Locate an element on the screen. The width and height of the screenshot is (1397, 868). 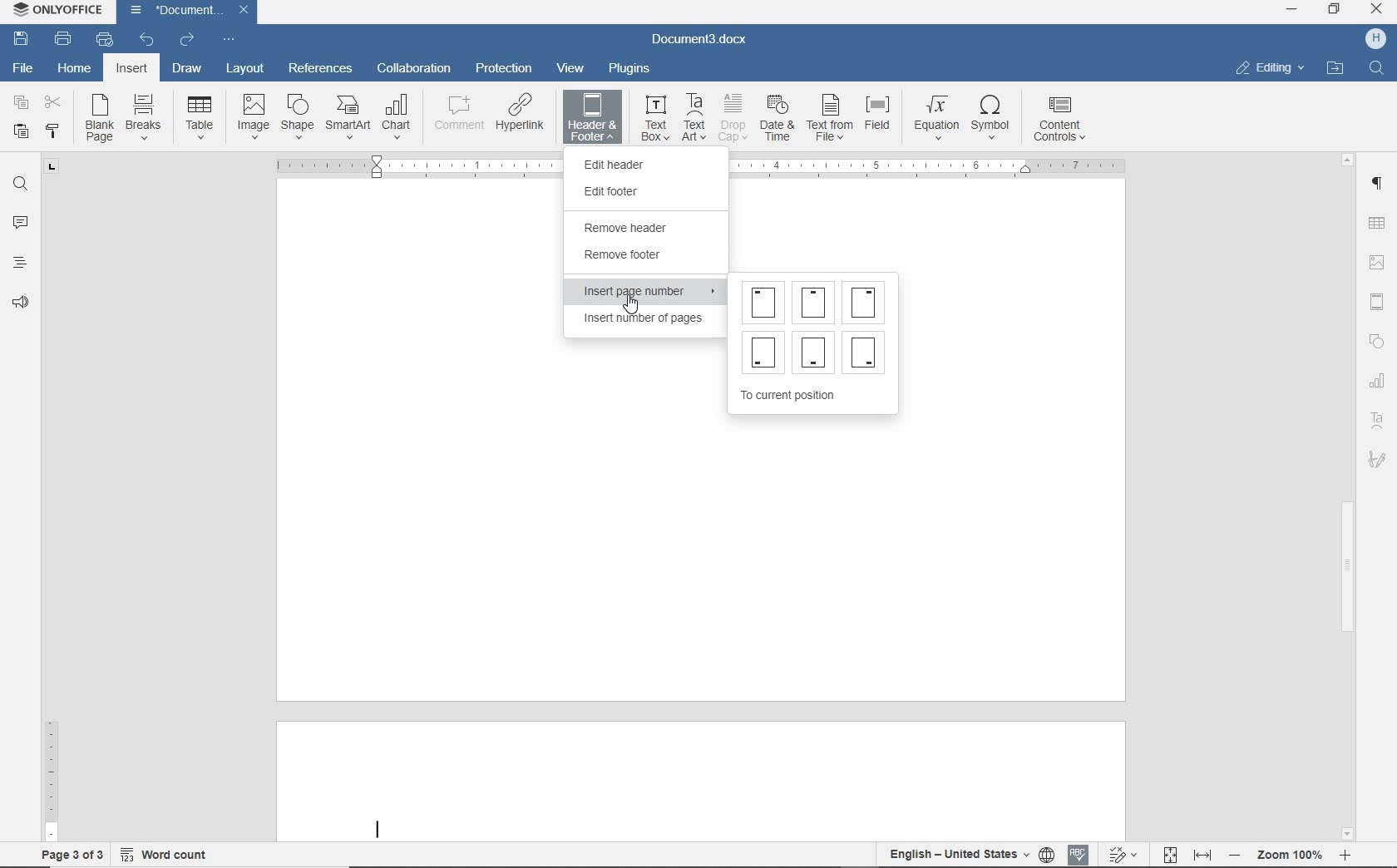
TABLE is located at coordinates (1379, 222).